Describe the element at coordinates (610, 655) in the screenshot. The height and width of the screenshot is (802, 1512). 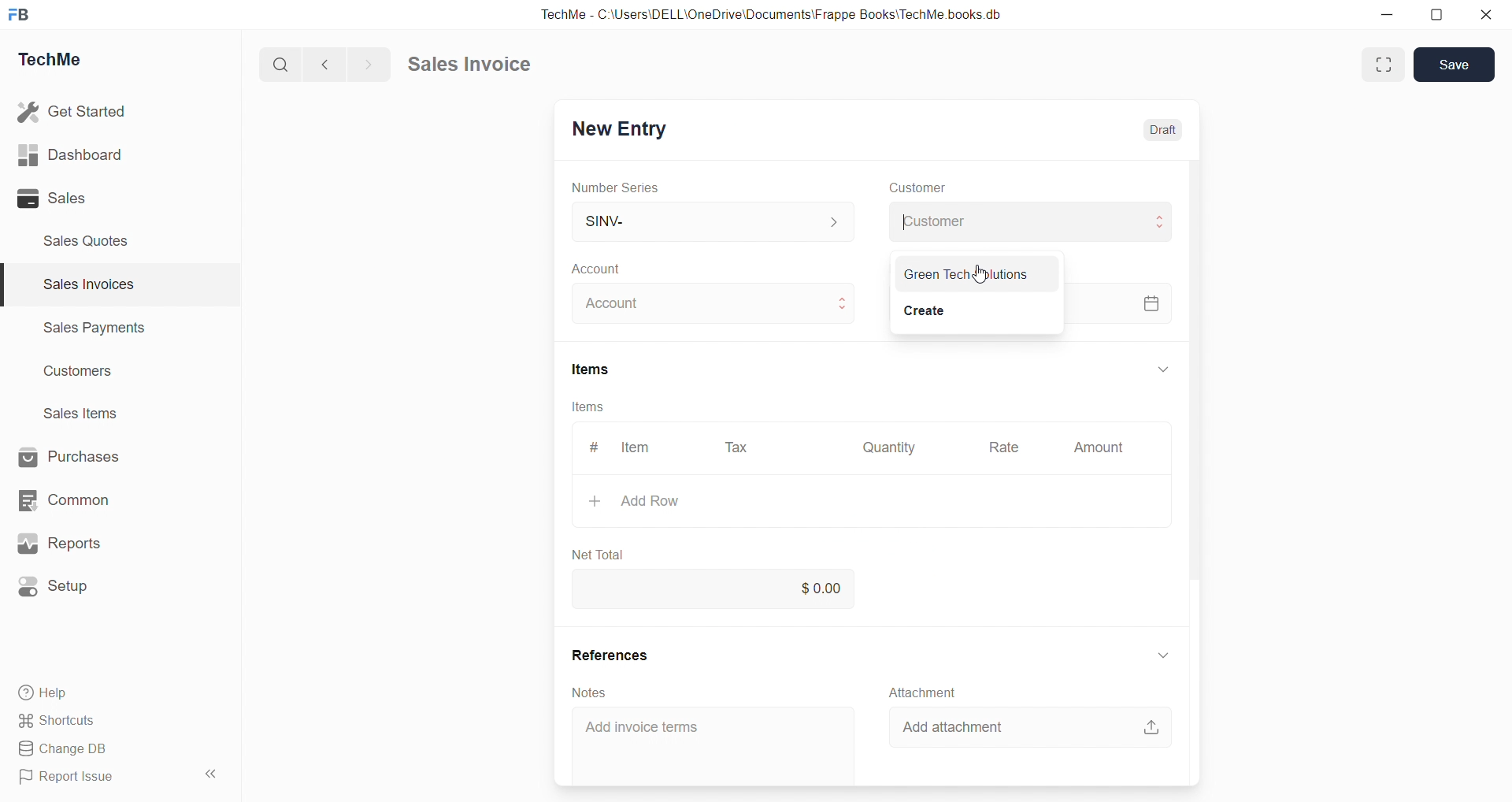
I see `References` at that location.